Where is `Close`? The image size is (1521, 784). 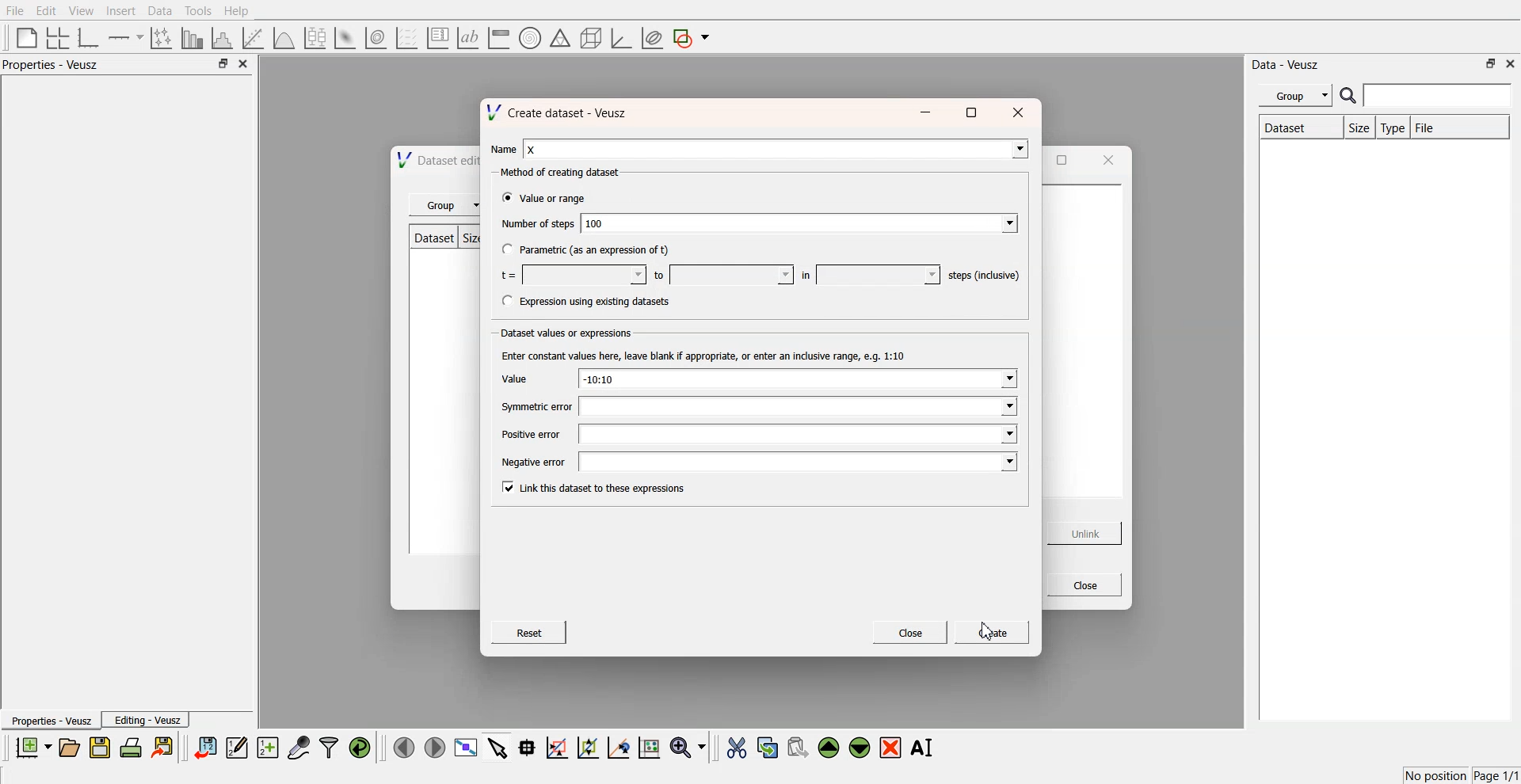 Close is located at coordinates (1083, 585).